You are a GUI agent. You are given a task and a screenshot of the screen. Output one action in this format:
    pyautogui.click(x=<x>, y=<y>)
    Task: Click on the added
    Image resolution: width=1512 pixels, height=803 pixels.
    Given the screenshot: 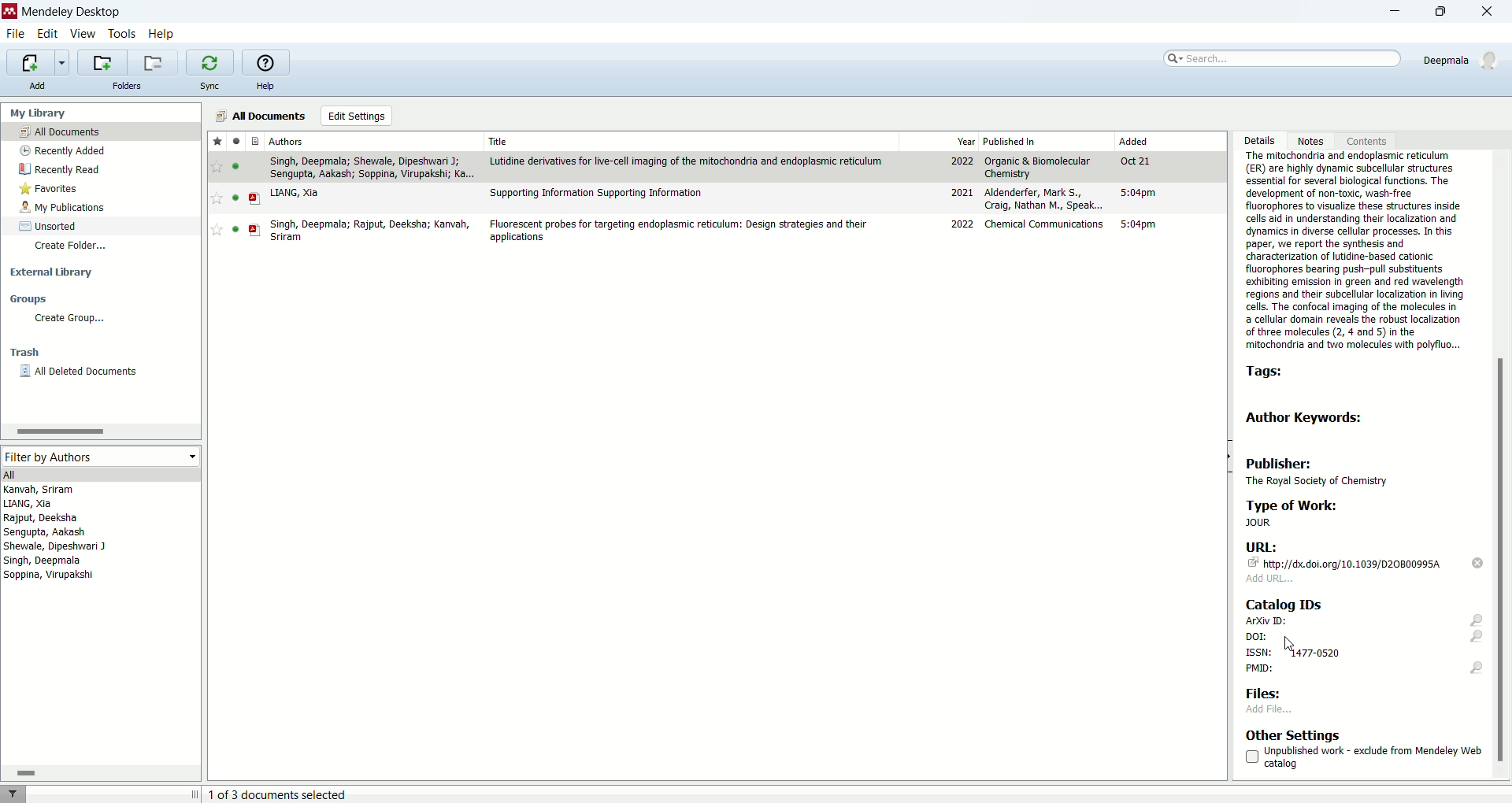 What is the action you would take?
    pyautogui.click(x=1134, y=140)
    